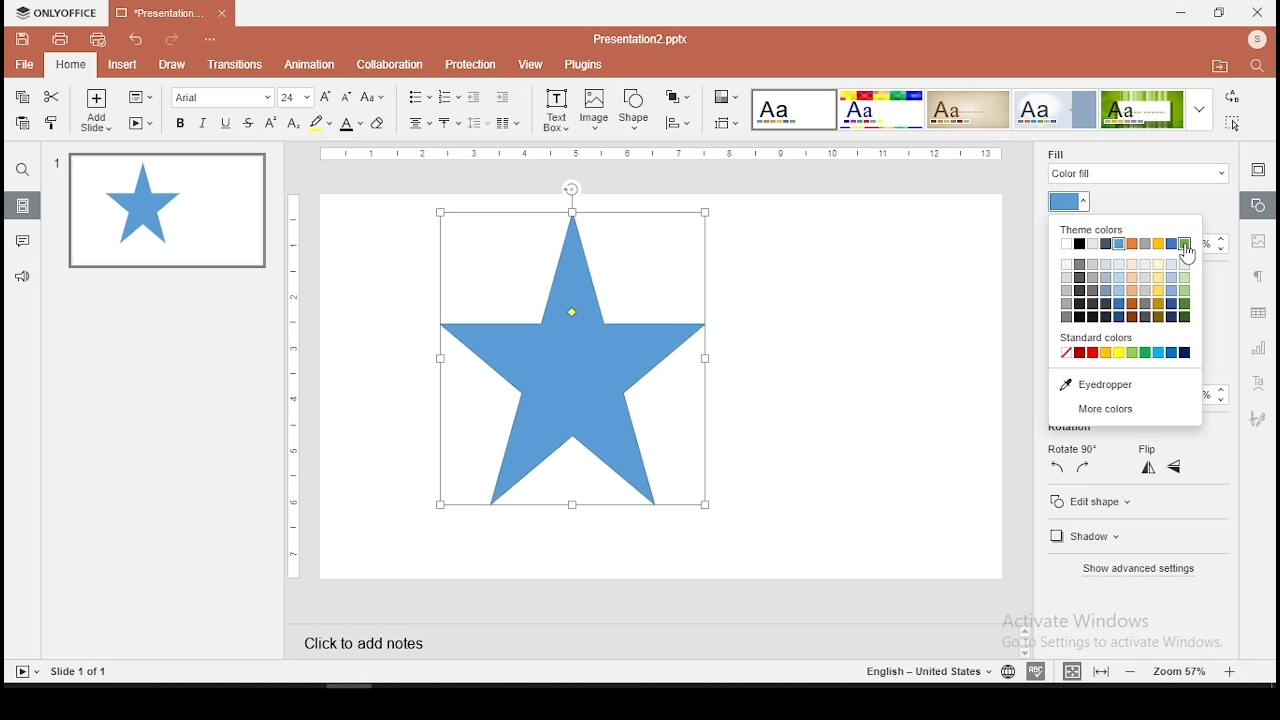 The width and height of the screenshot is (1280, 720). What do you see at coordinates (968, 110) in the screenshot?
I see `theme` at bounding box center [968, 110].